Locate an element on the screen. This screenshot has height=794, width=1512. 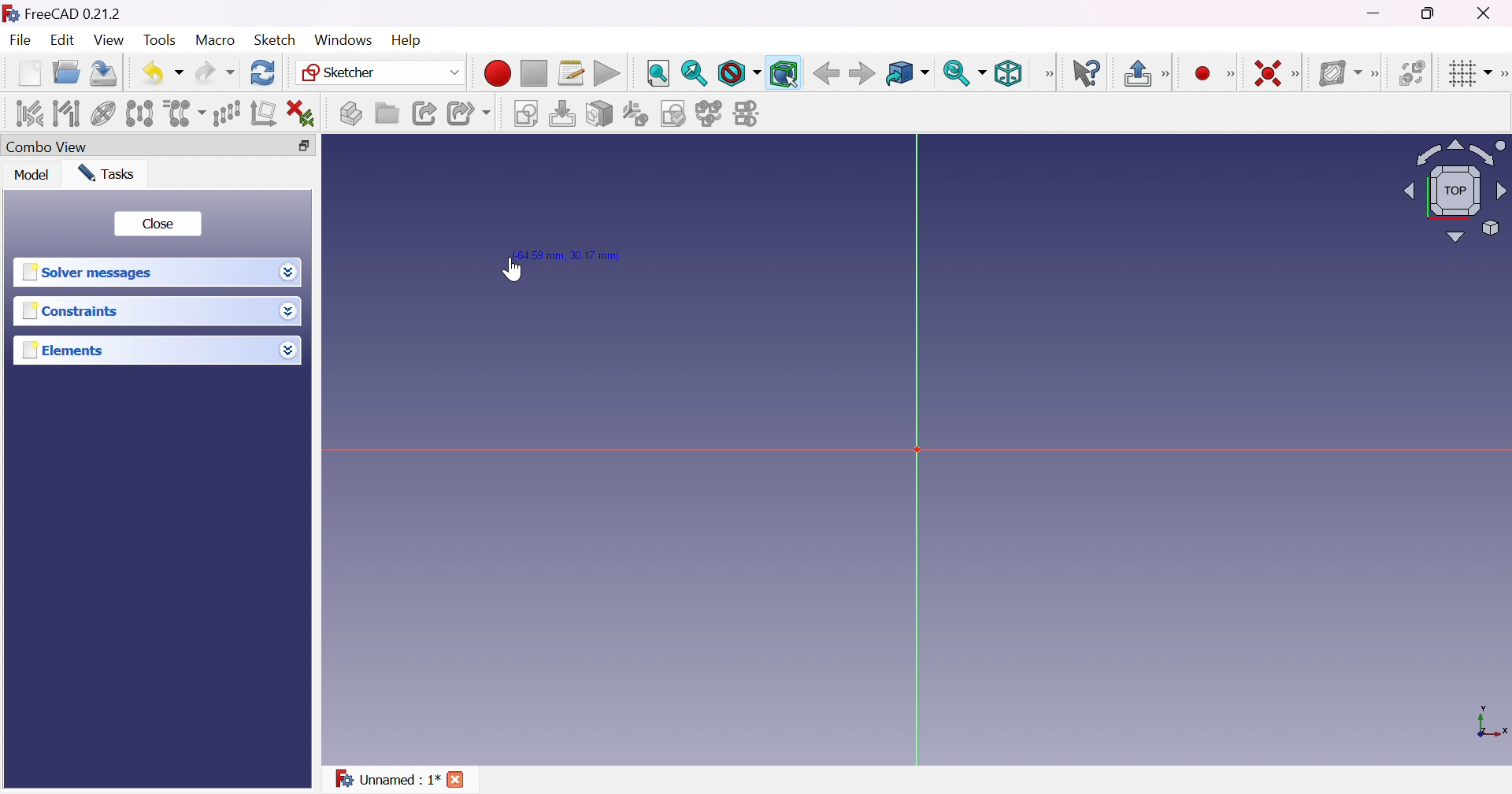
Cursor is located at coordinates (513, 265).